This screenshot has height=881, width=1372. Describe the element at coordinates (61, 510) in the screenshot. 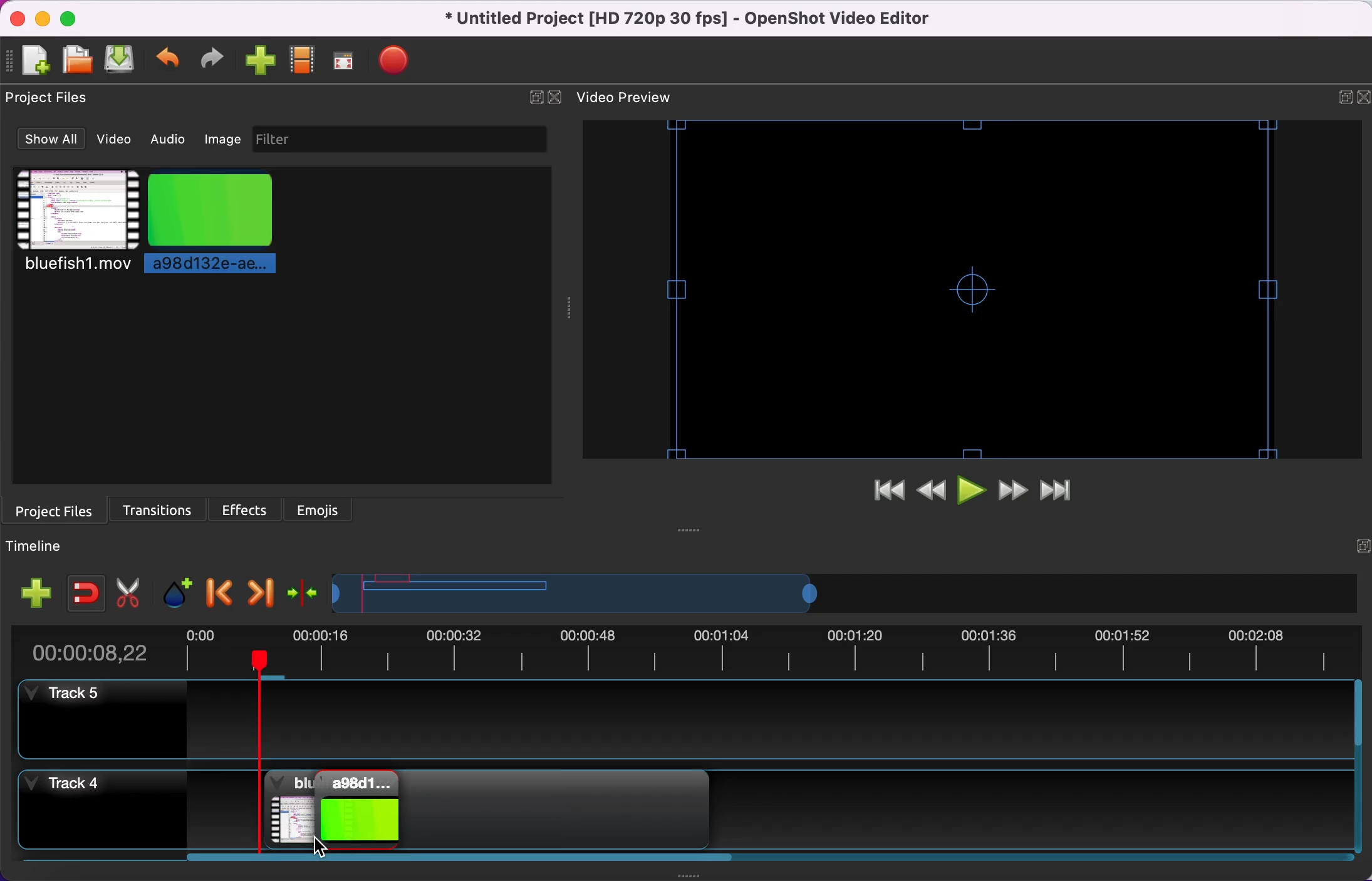

I see `project files` at that location.